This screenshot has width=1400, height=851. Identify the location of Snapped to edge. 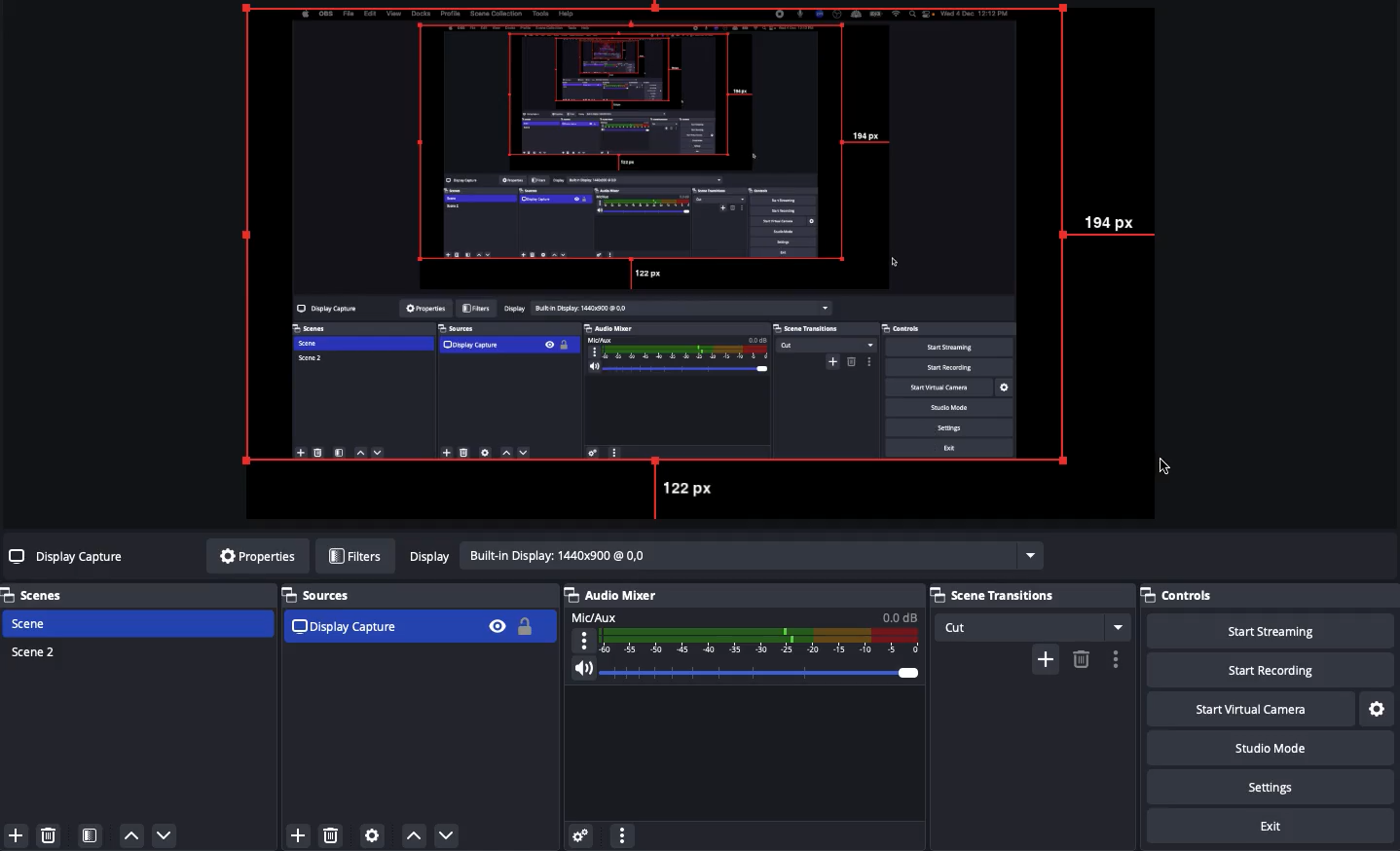
(660, 235).